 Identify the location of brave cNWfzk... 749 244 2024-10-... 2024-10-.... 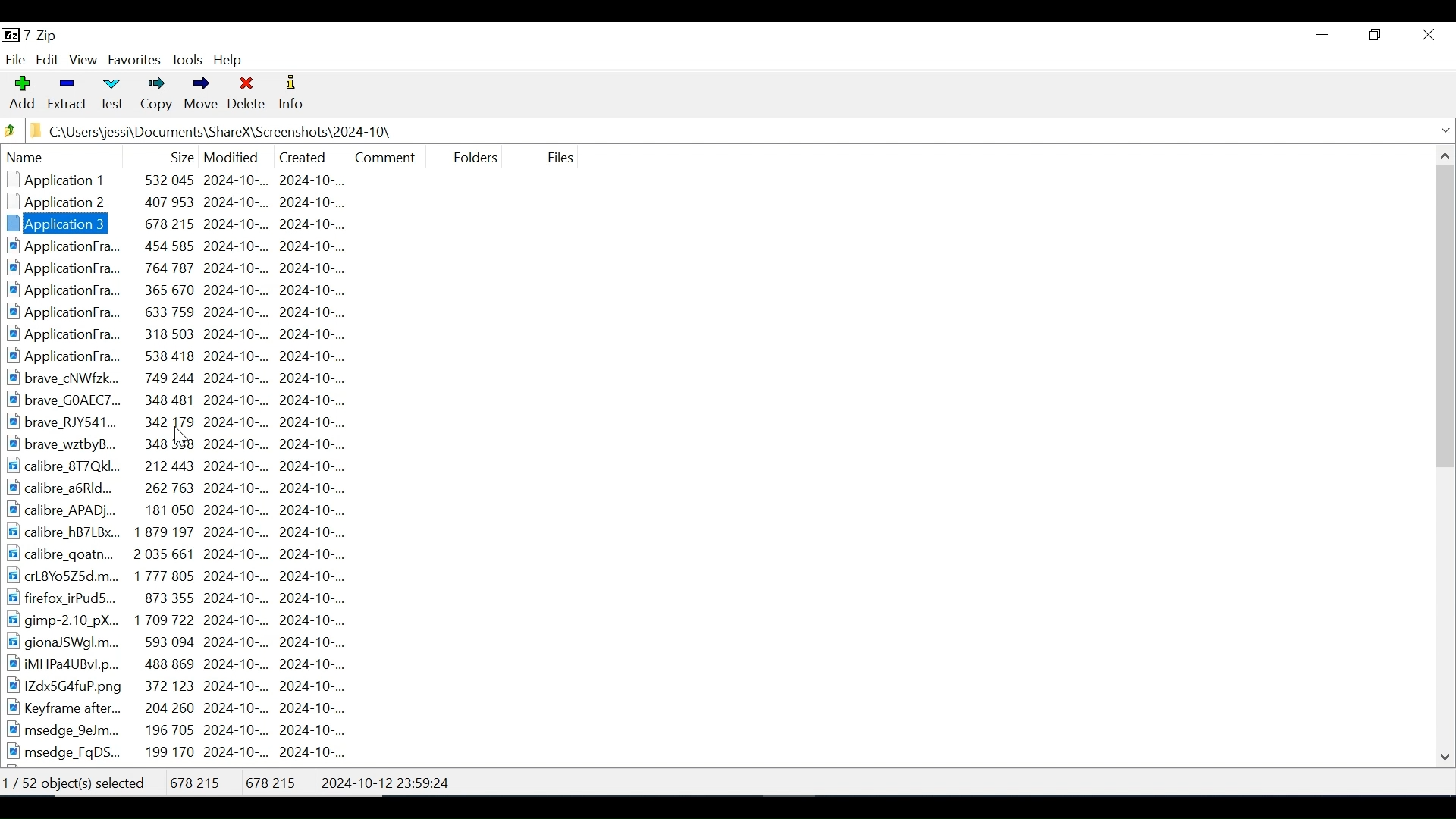
(187, 378).